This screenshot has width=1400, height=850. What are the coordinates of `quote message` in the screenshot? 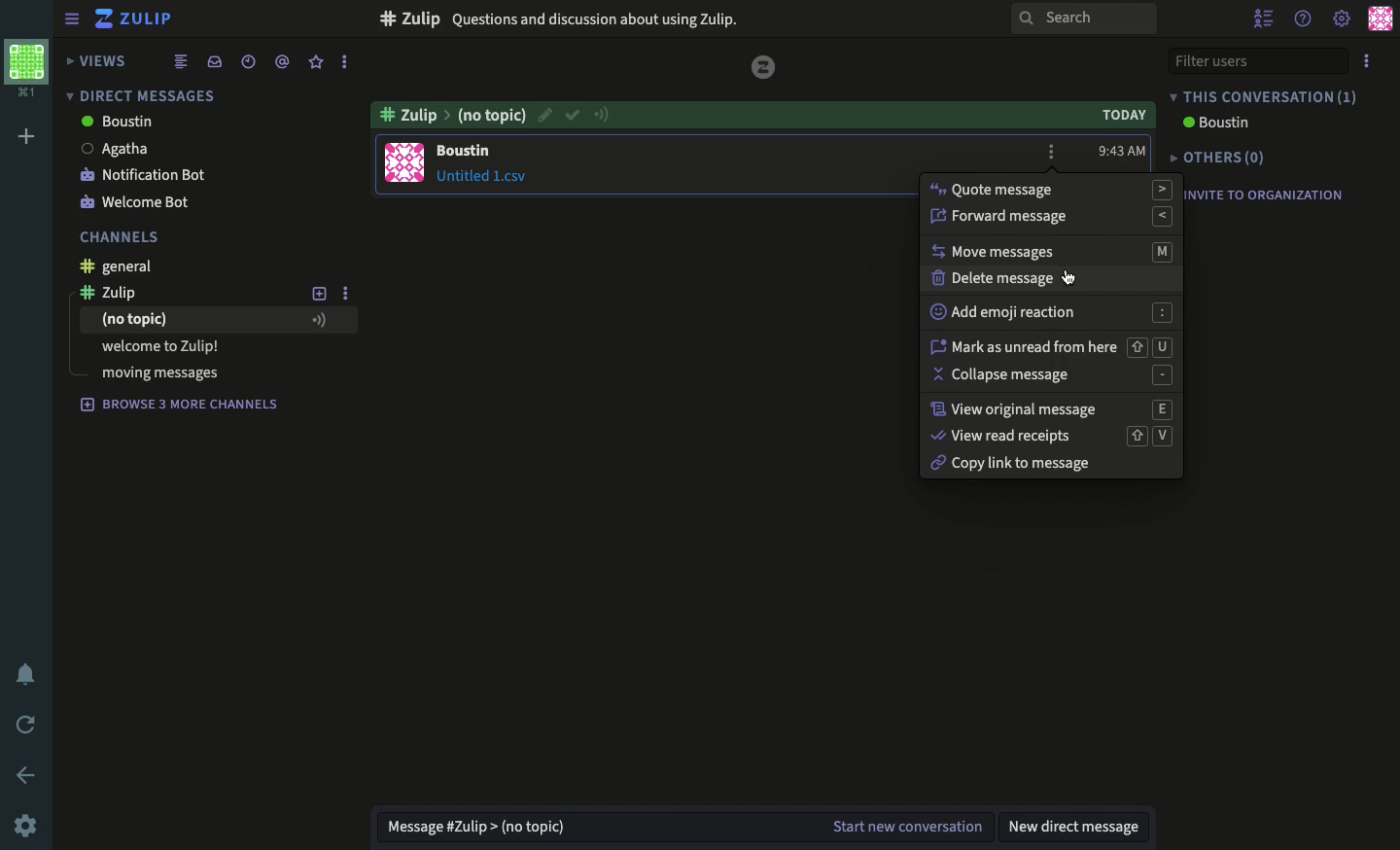 It's located at (1052, 189).